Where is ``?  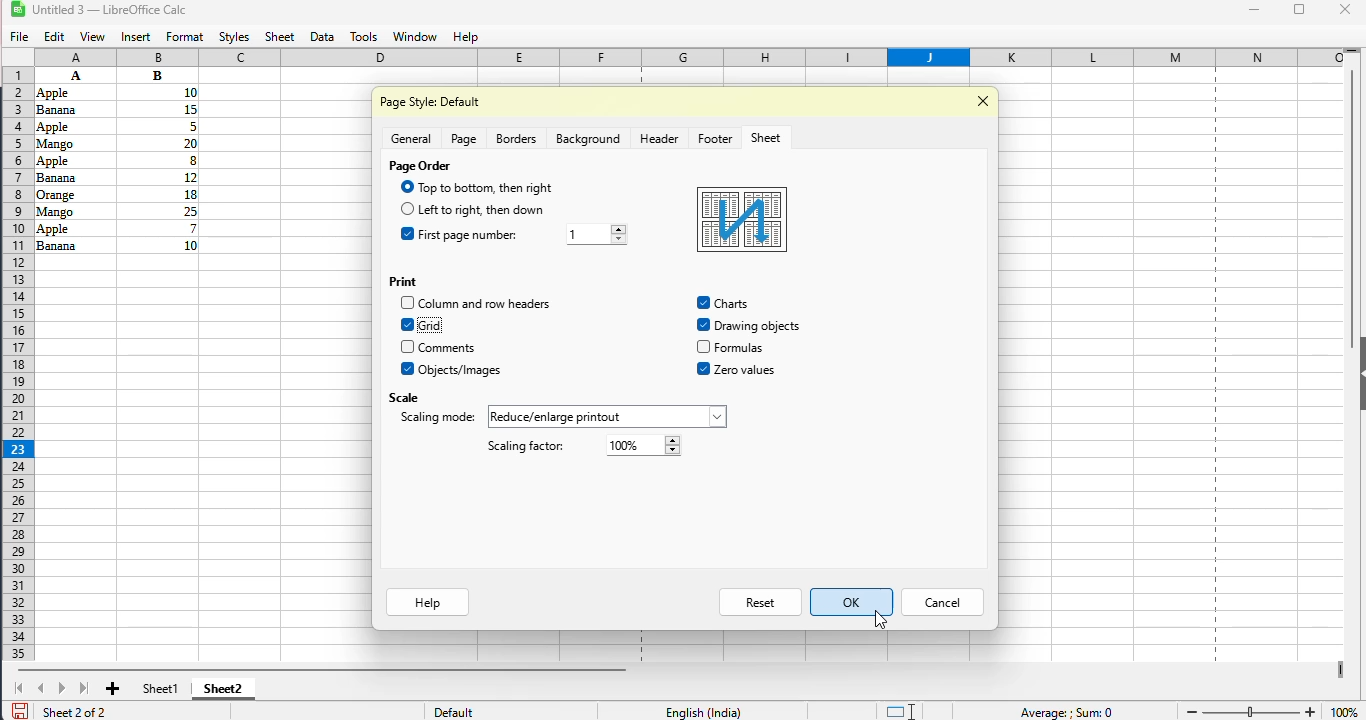
 is located at coordinates (645, 446).